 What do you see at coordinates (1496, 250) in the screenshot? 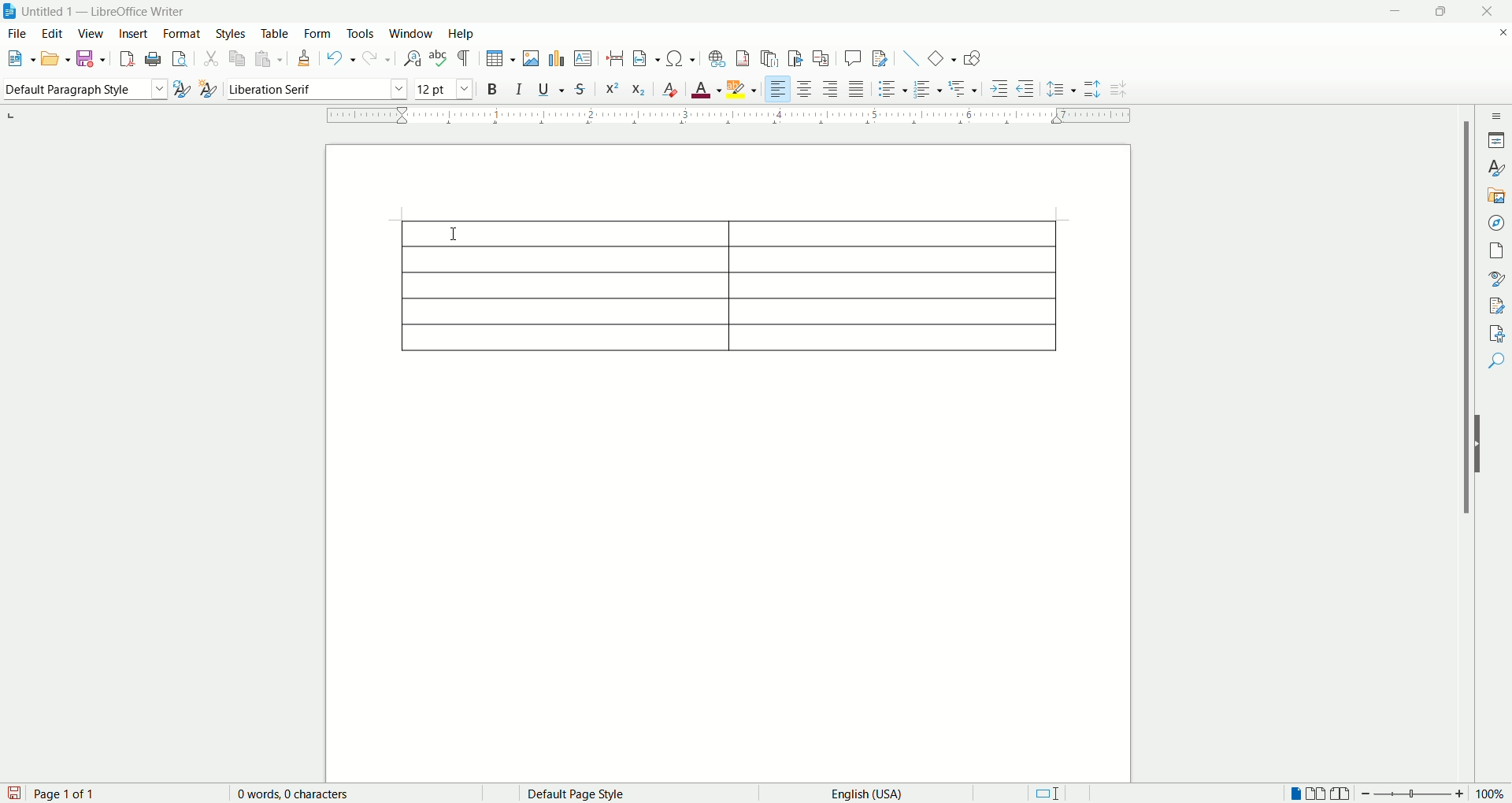
I see `page` at bounding box center [1496, 250].